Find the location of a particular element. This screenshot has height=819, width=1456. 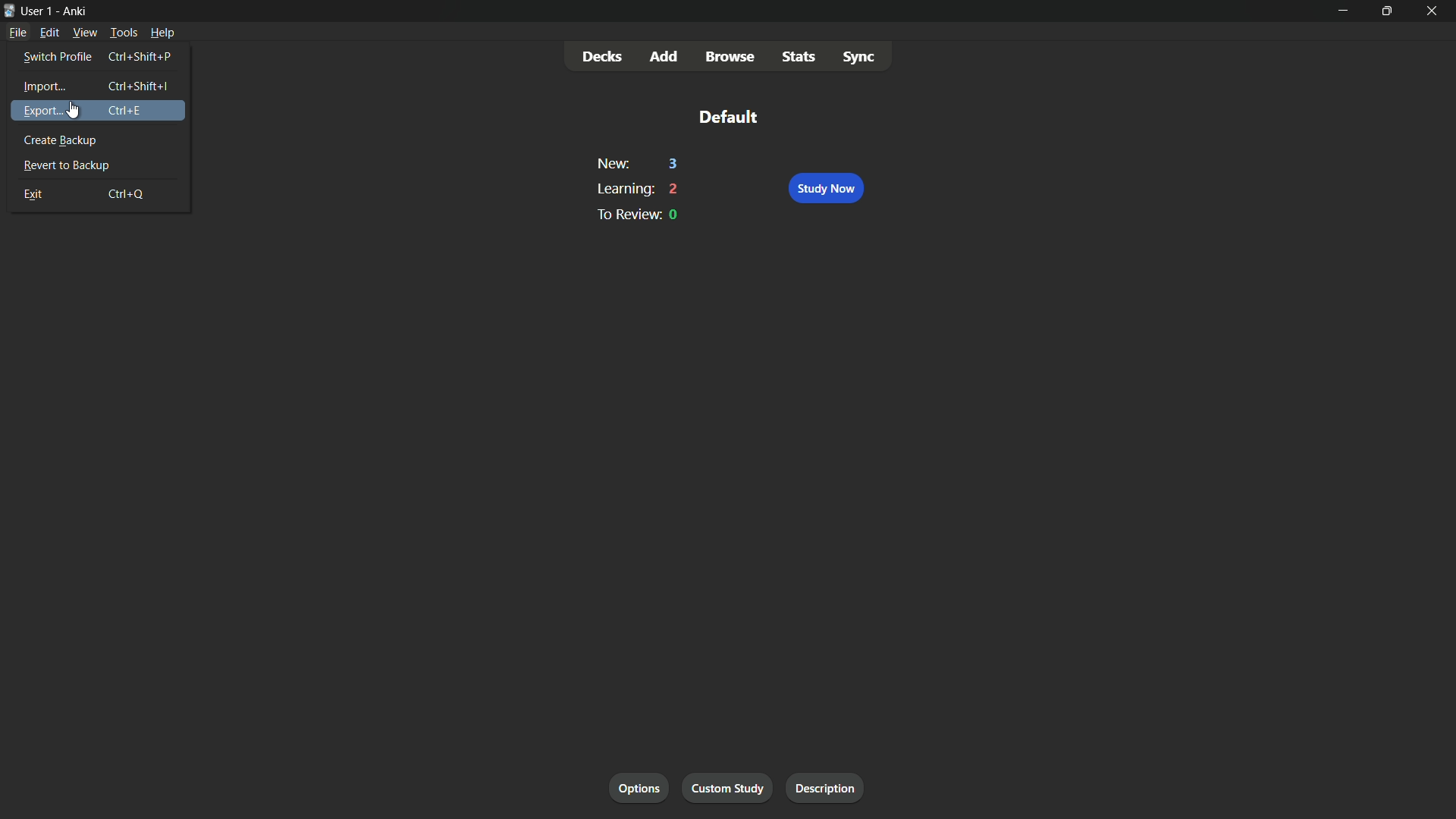

cursor is located at coordinates (74, 110).